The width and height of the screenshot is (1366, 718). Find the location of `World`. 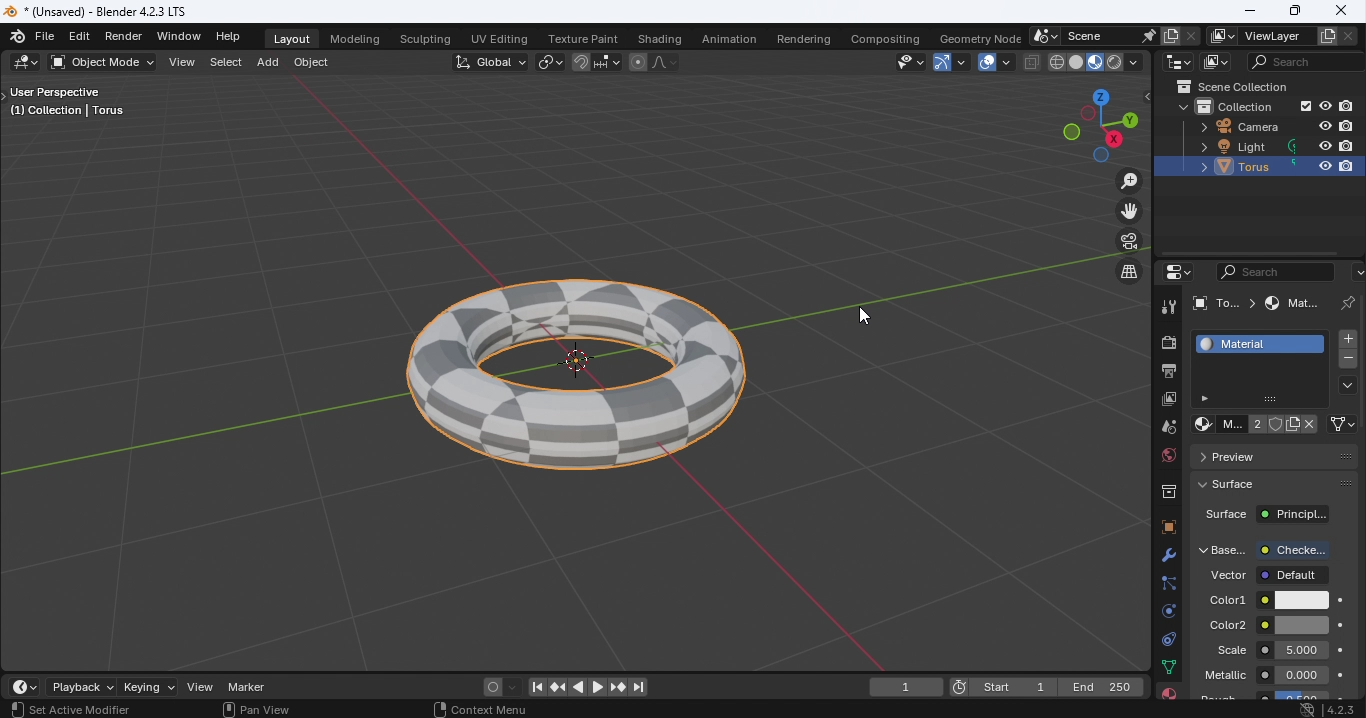

World is located at coordinates (1169, 457).